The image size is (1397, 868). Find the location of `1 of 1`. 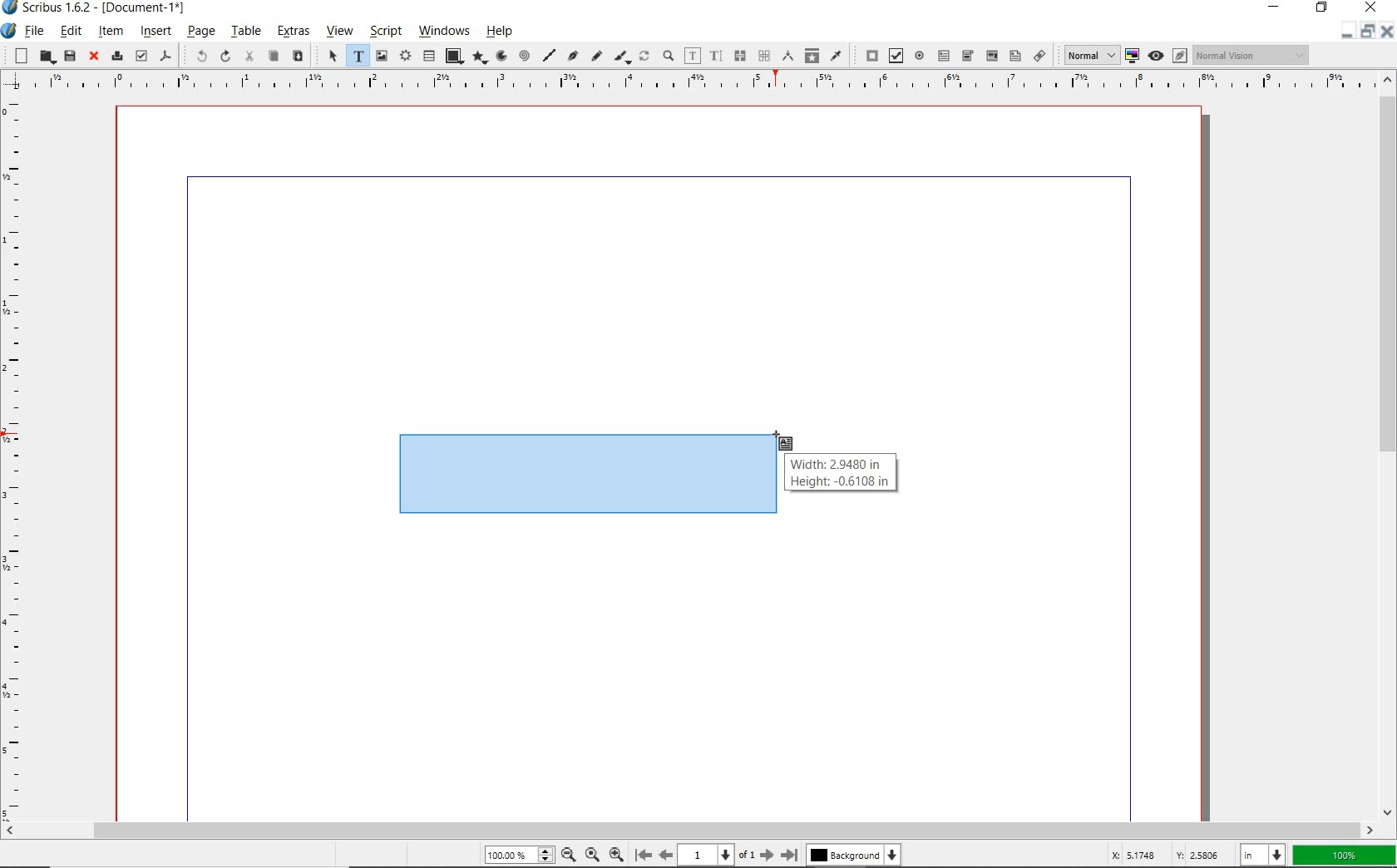

1 of 1 is located at coordinates (716, 855).